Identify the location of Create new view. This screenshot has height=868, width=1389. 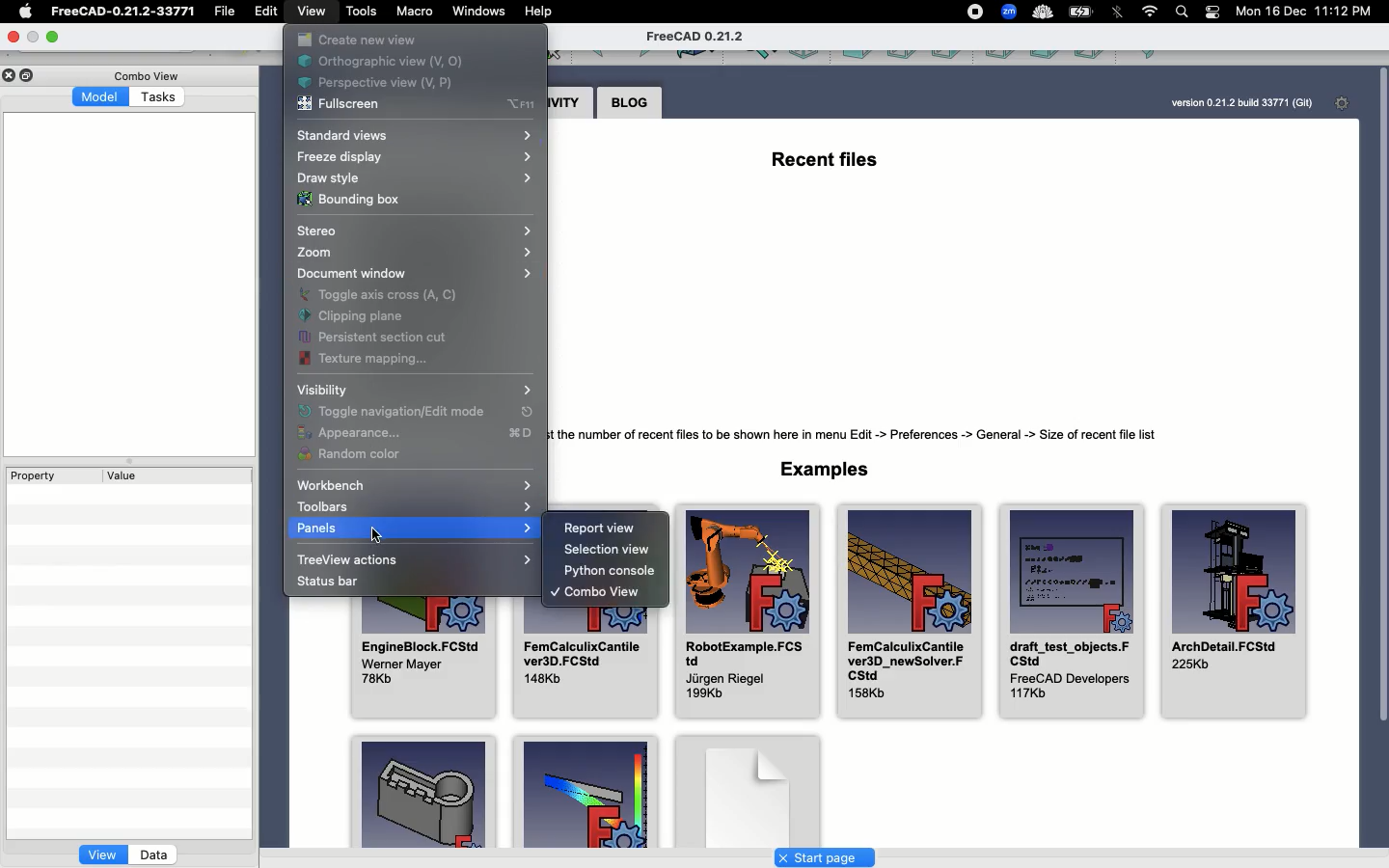
(356, 40).